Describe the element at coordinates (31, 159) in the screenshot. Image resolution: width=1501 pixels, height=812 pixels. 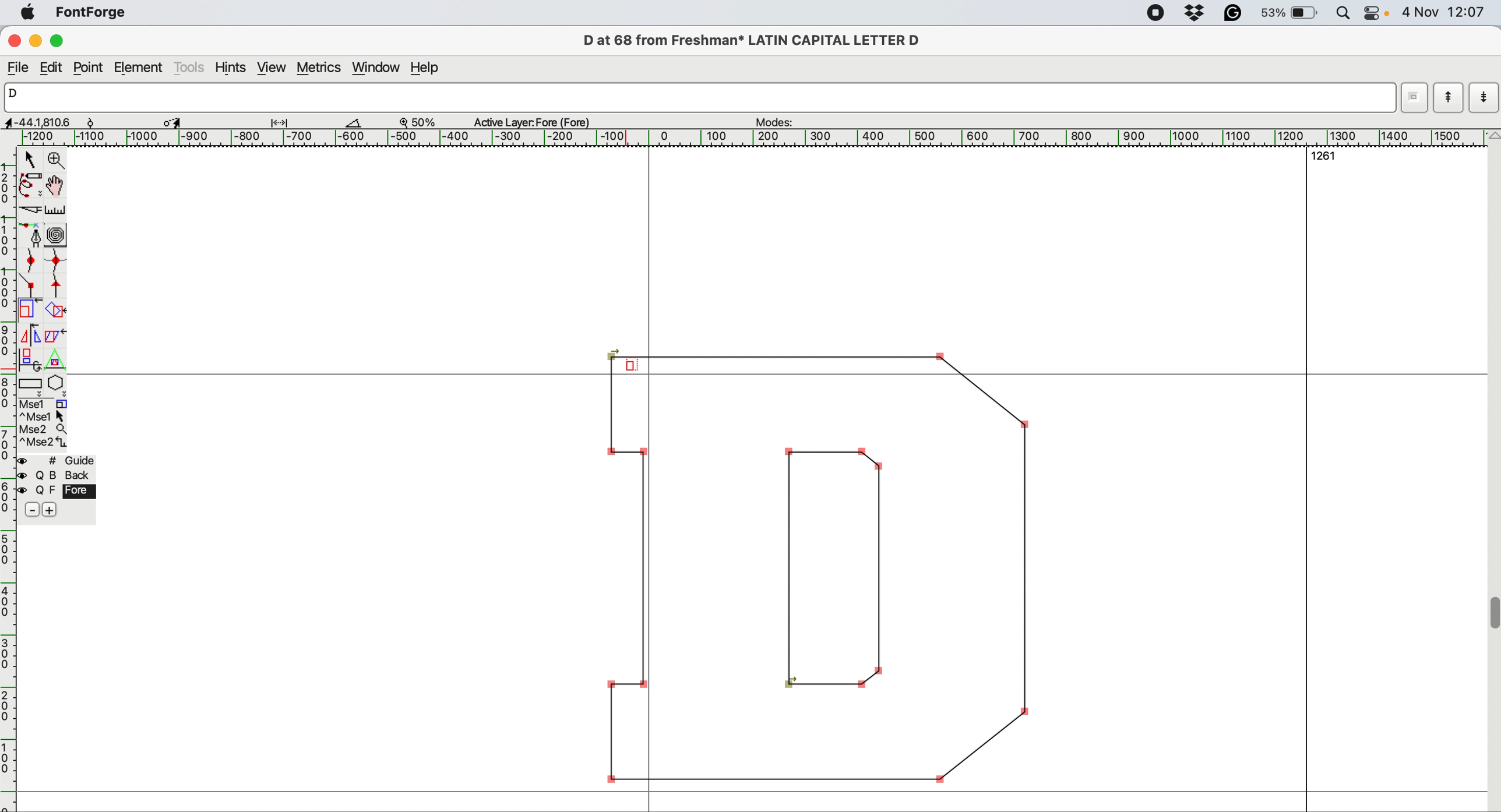
I see `pointer` at that location.